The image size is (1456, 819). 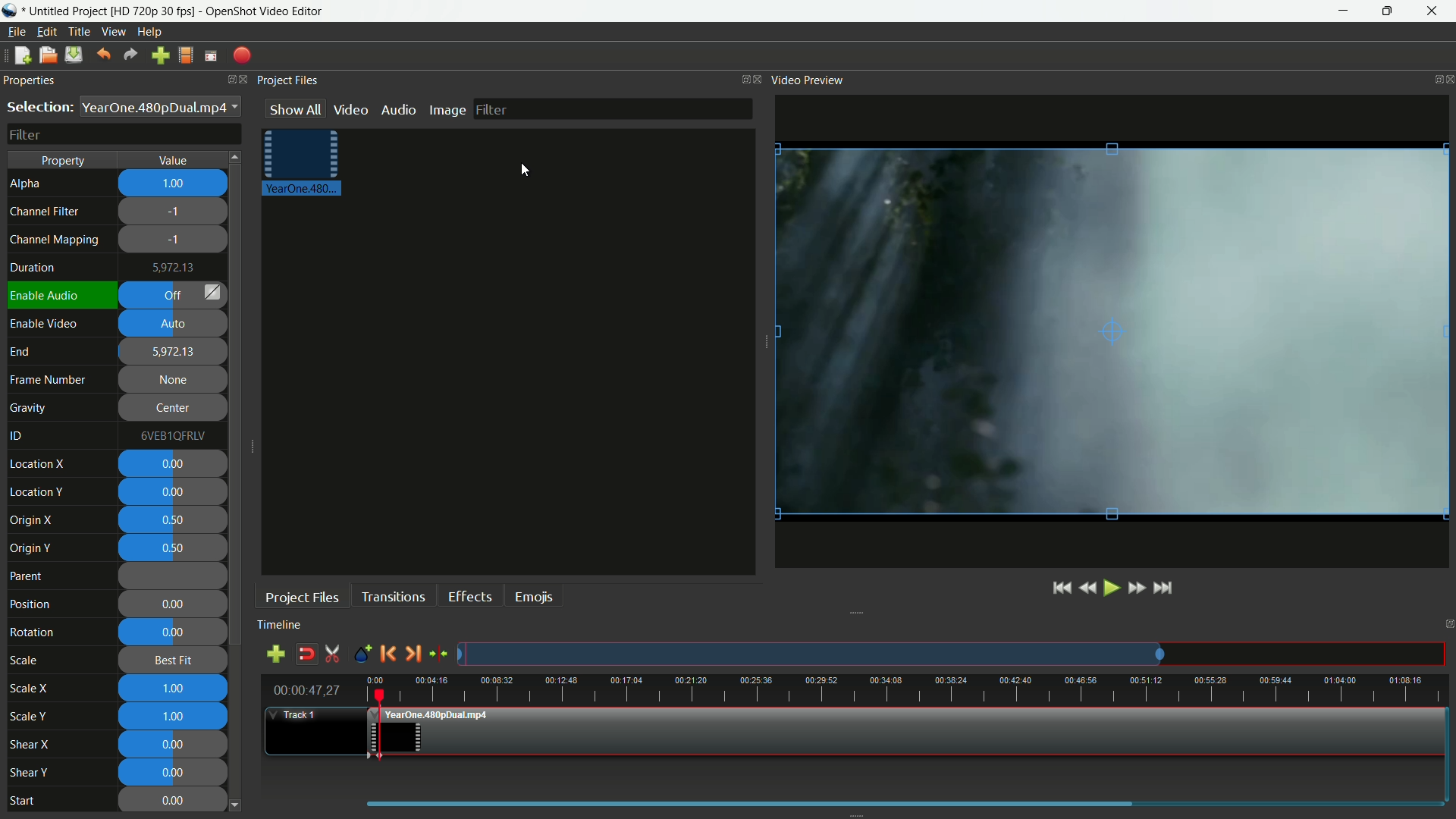 What do you see at coordinates (756, 78) in the screenshot?
I see `close project files` at bounding box center [756, 78].